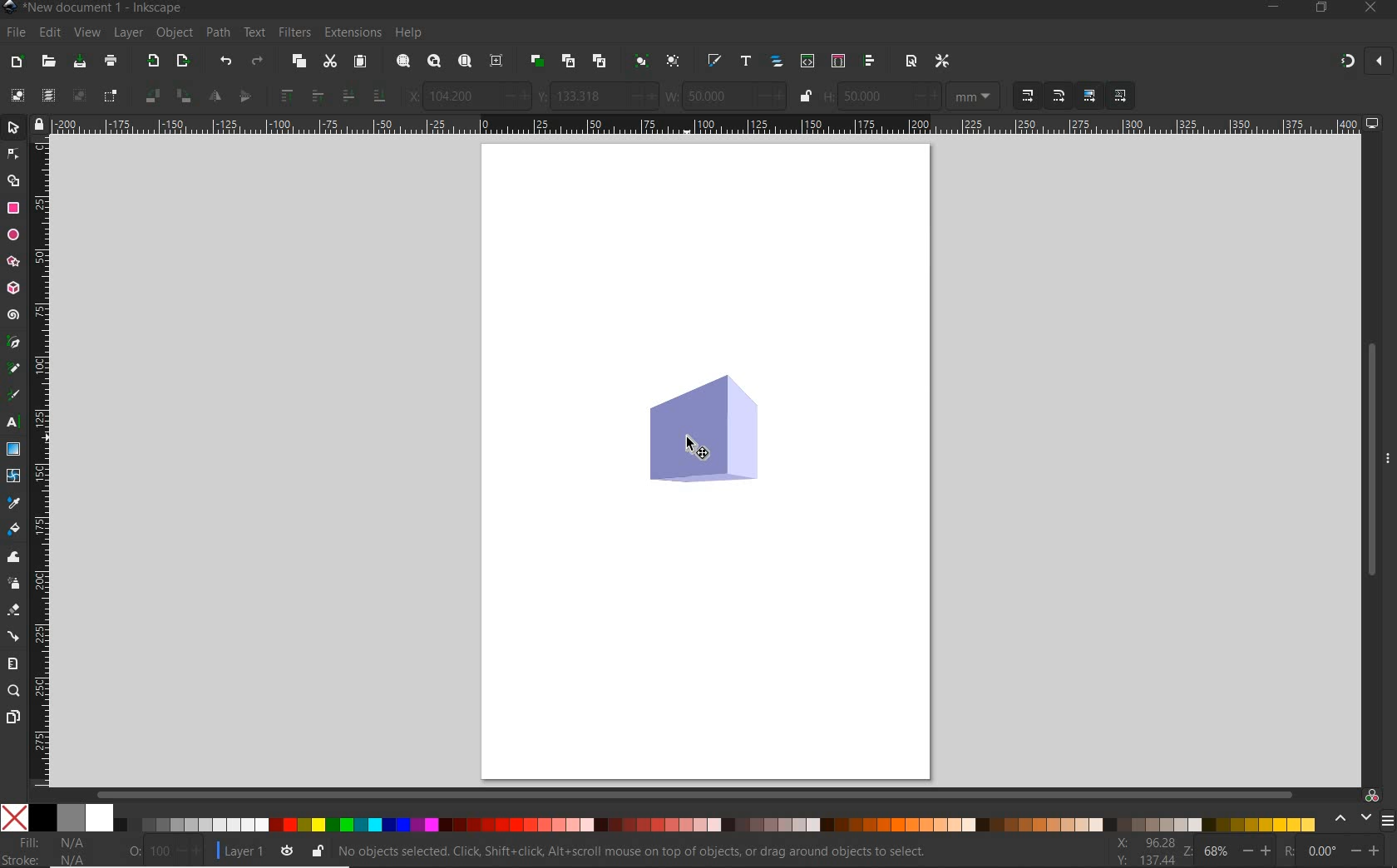  What do you see at coordinates (128, 33) in the screenshot?
I see `layer` at bounding box center [128, 33].